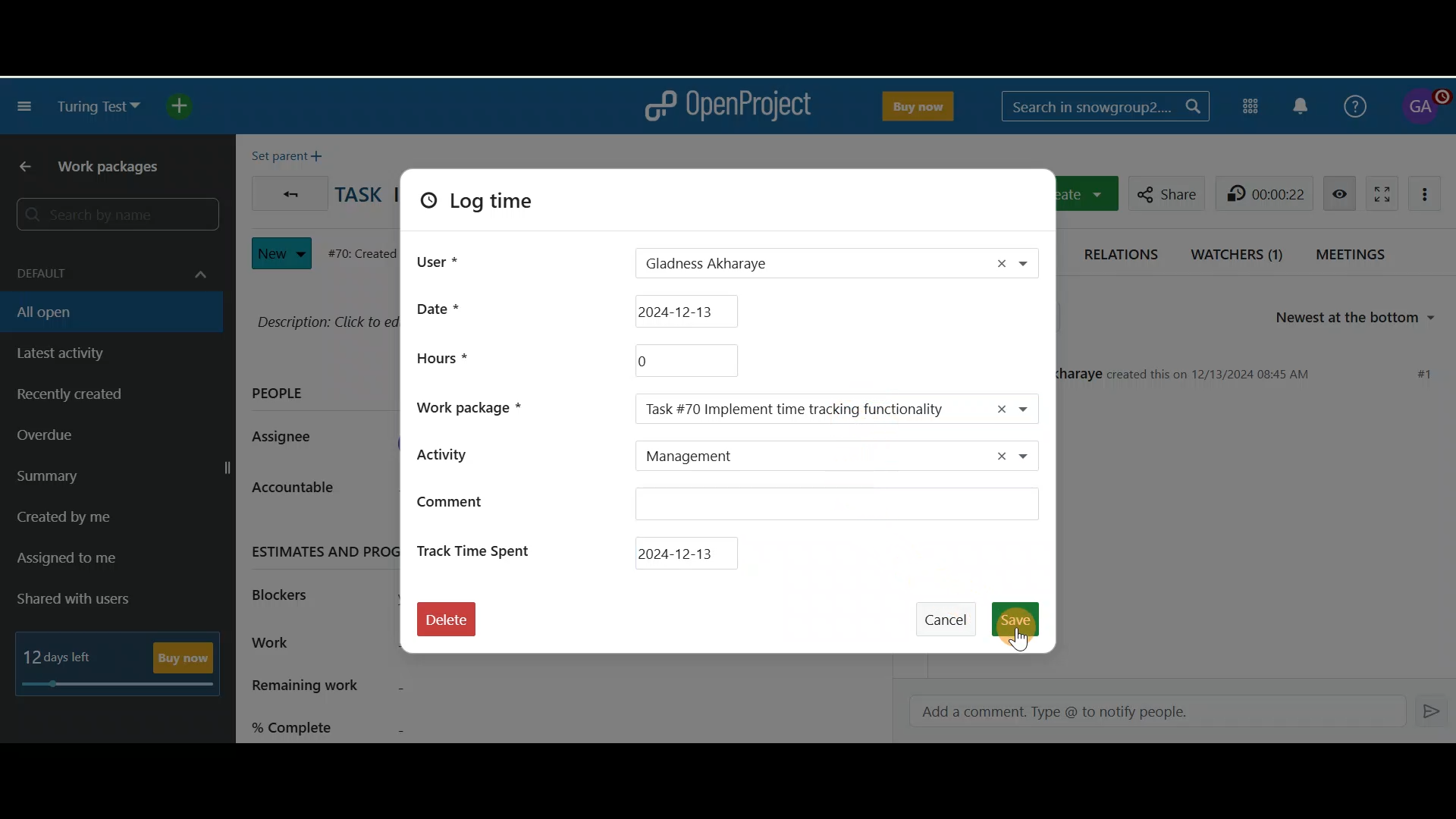 The width and height of the screenshot is (1456, 819). Describe the element at coordinates (320, 550) in the screenshot. I see `ESTIMATES AND PROGRESS` at that location.